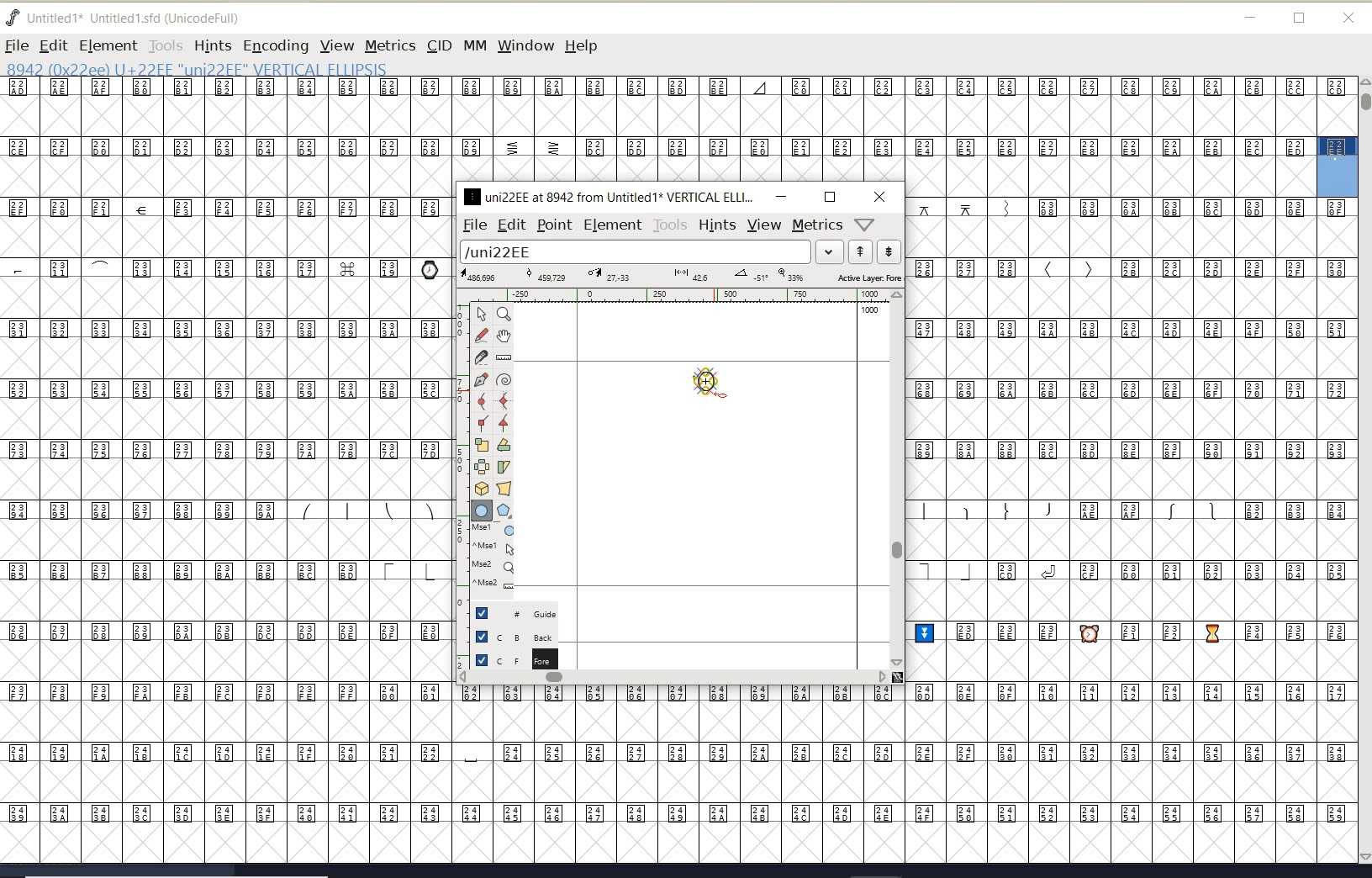 The image size is (1372, 878). I want to click on glyph selected, so click(1338, 167).